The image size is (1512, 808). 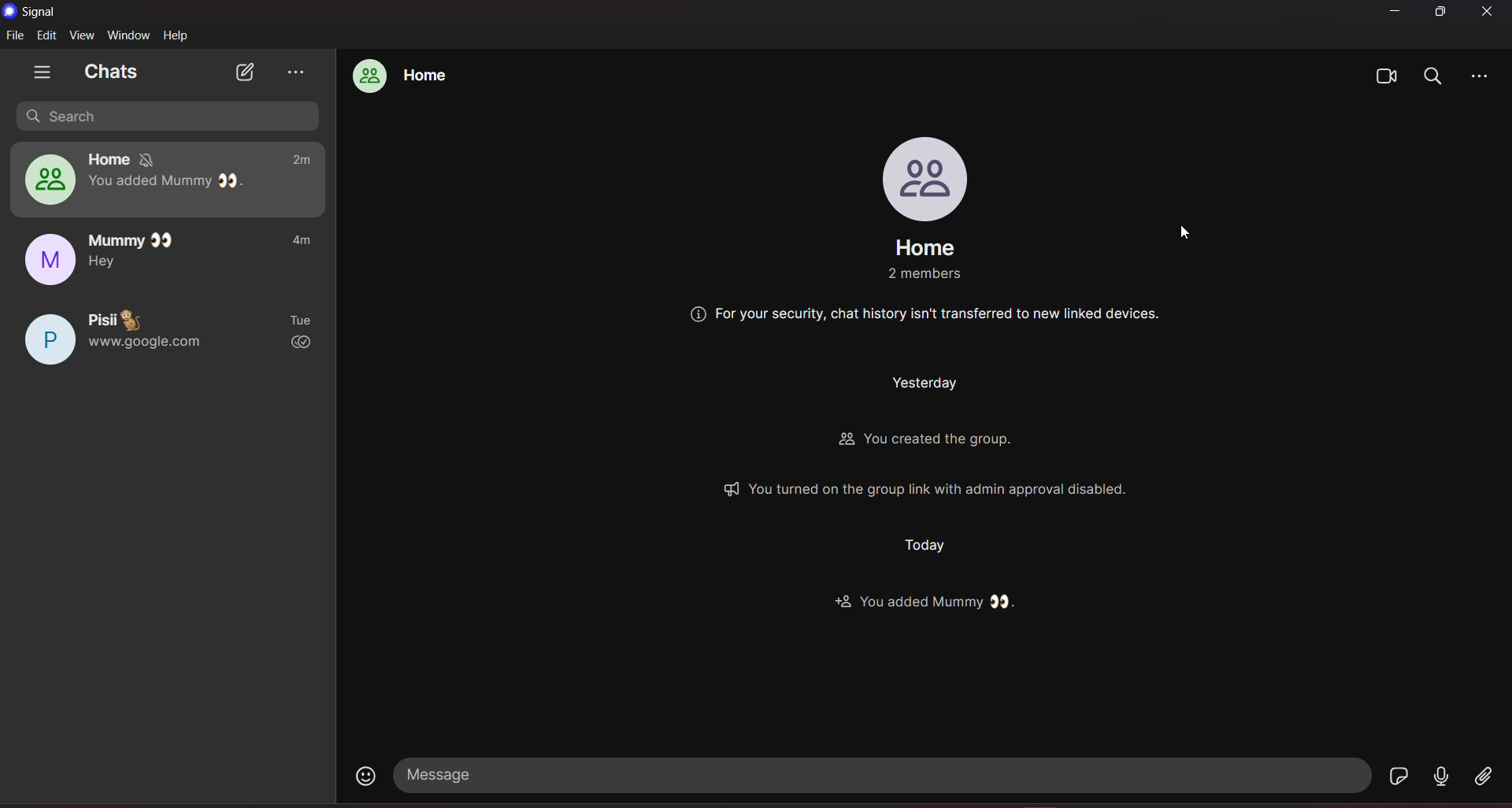 What do you see at coordinates (169, 115) in the screenshot?
I see `search` at bounding box center [169, 115].